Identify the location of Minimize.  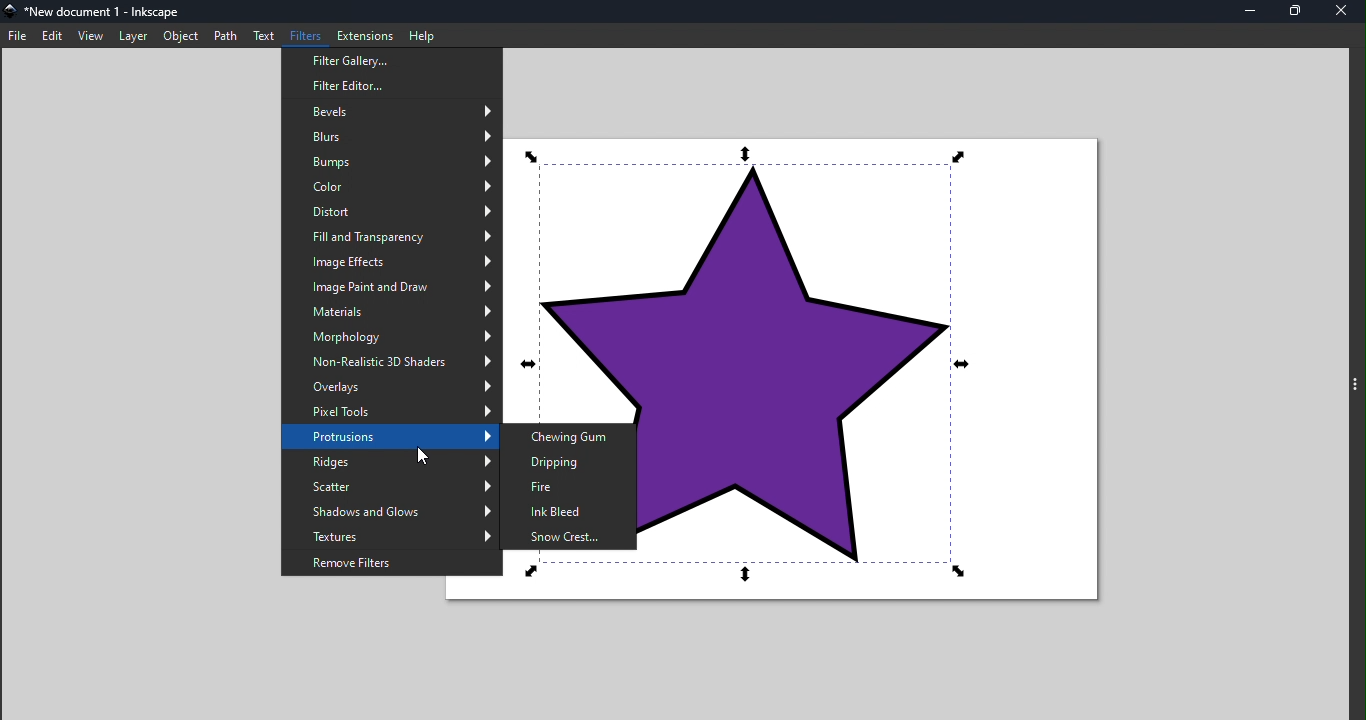
(1252, 12).